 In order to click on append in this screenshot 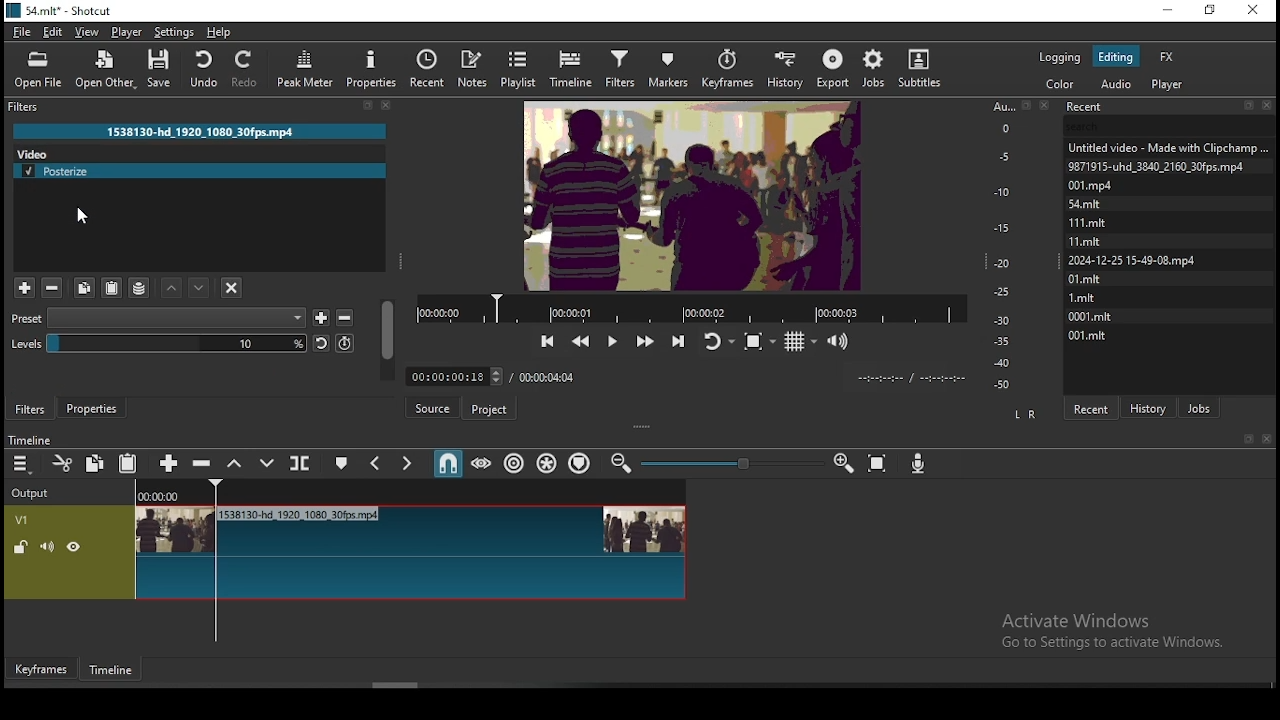, I will do `click(168, 464)`.